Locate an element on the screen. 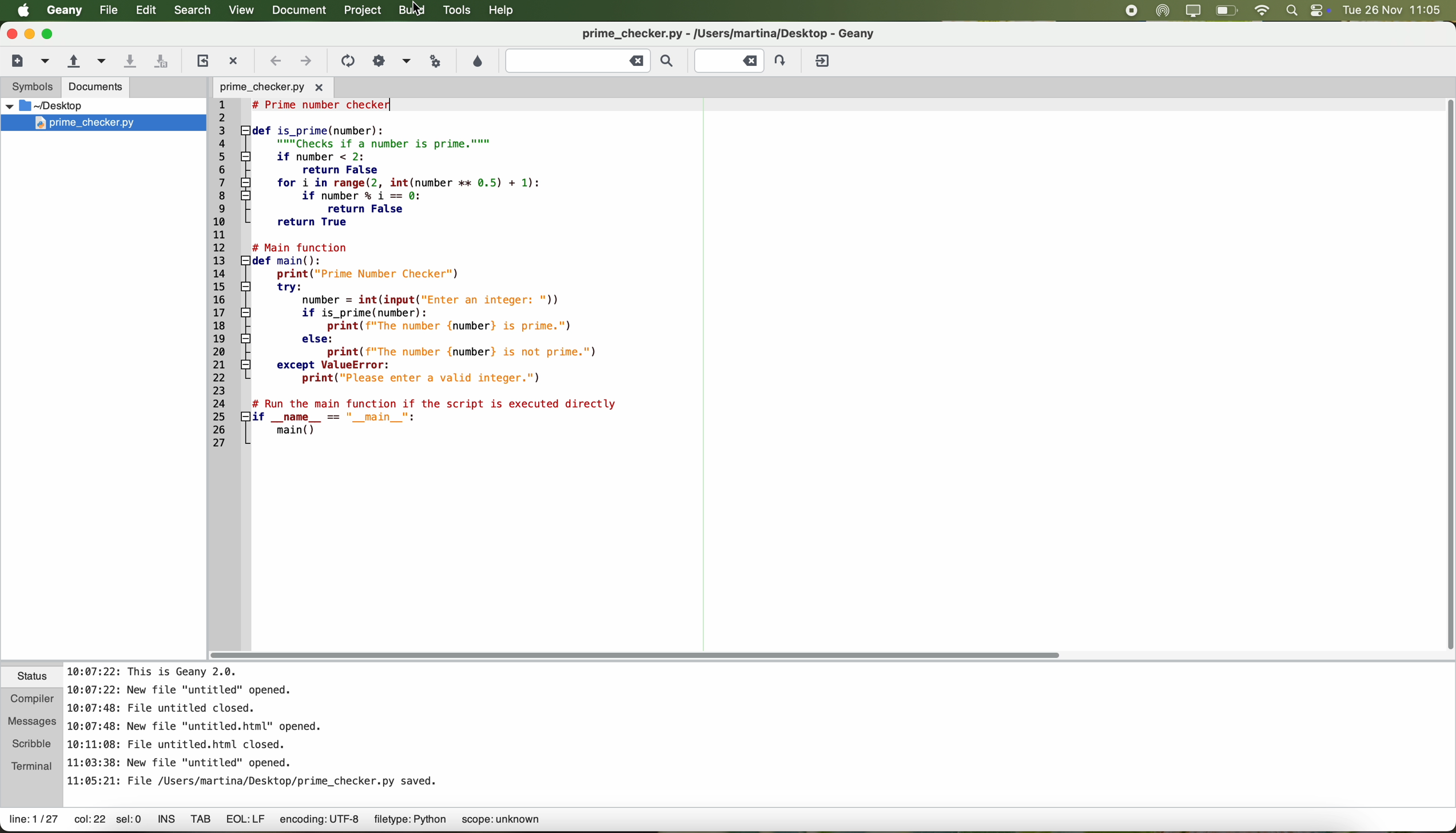  close Geany is located at coordinates (10, 31).